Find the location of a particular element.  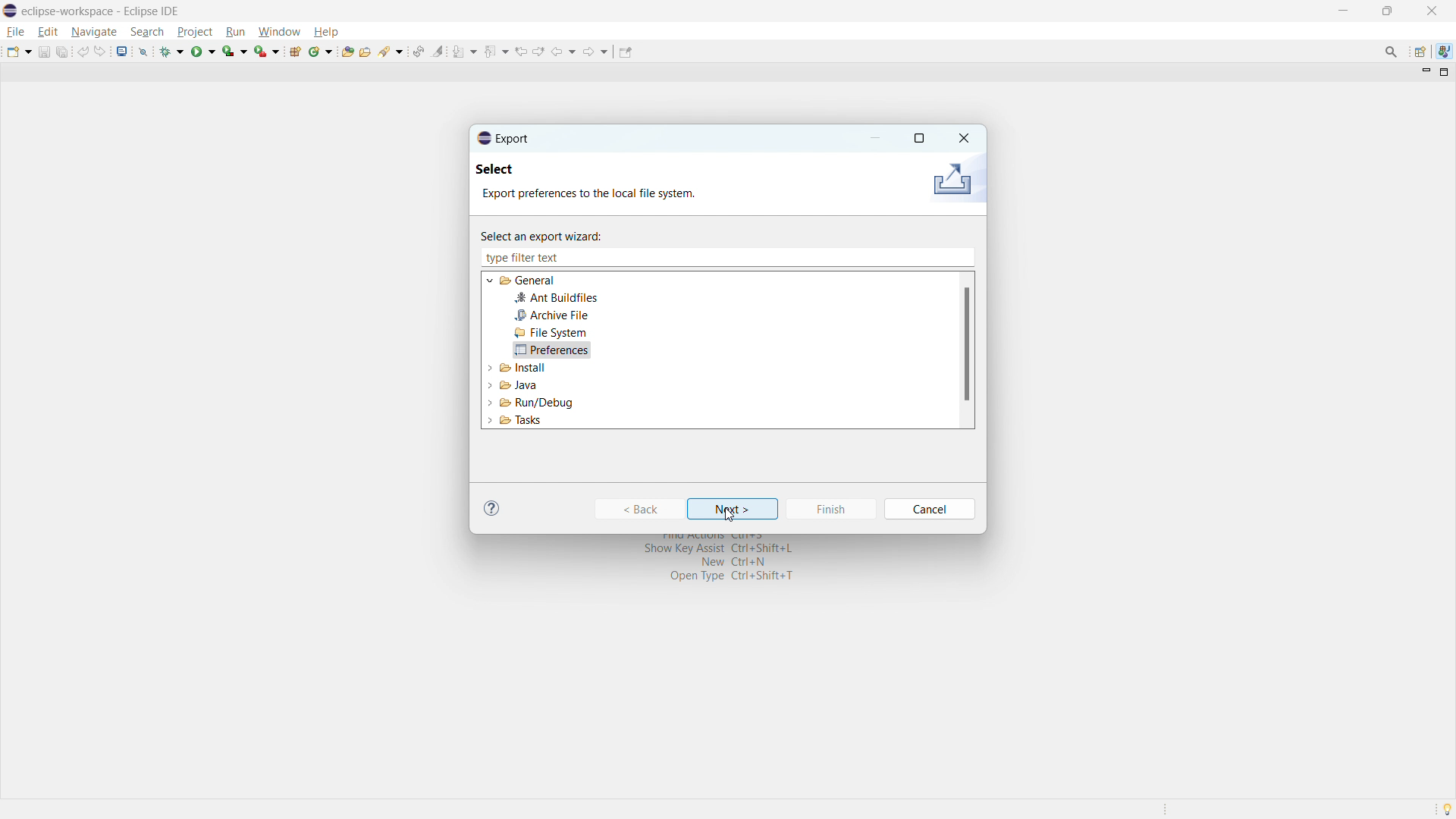

archive file is located at coordinates (551, 315).